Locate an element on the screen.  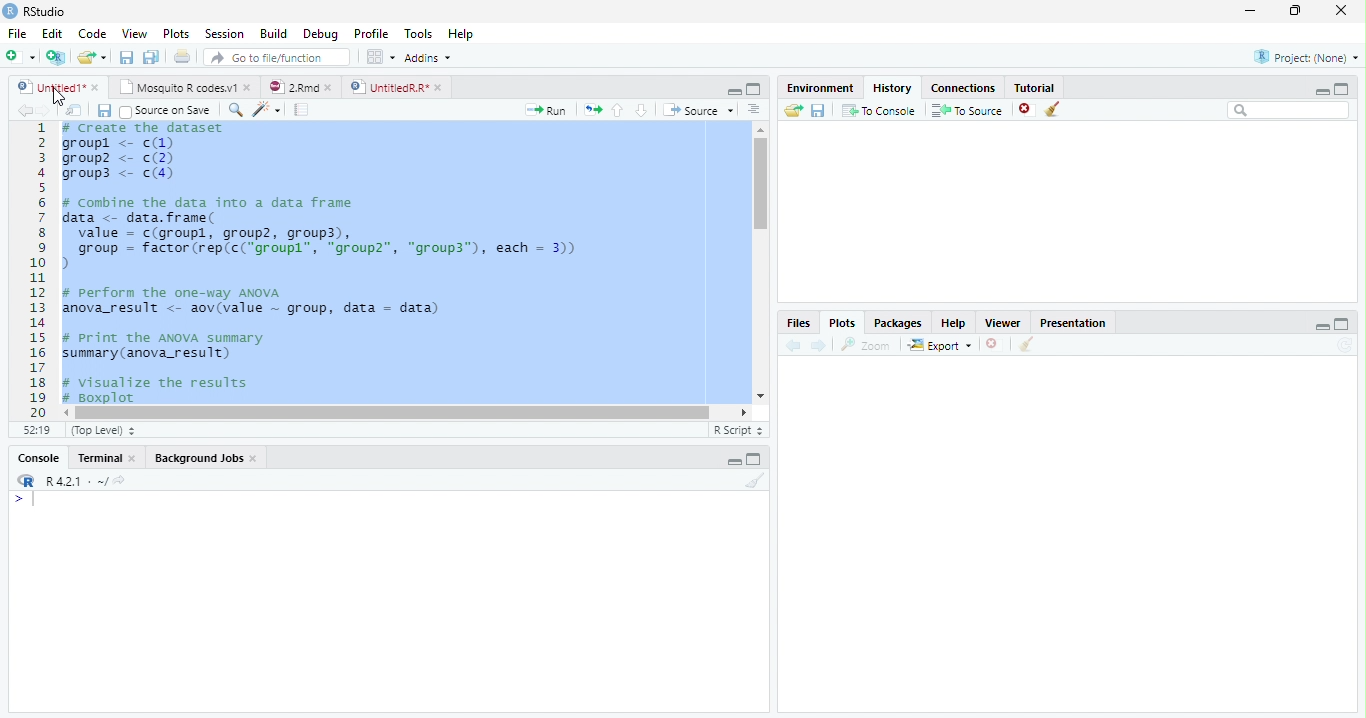
help is located at coordinates (954, 323).